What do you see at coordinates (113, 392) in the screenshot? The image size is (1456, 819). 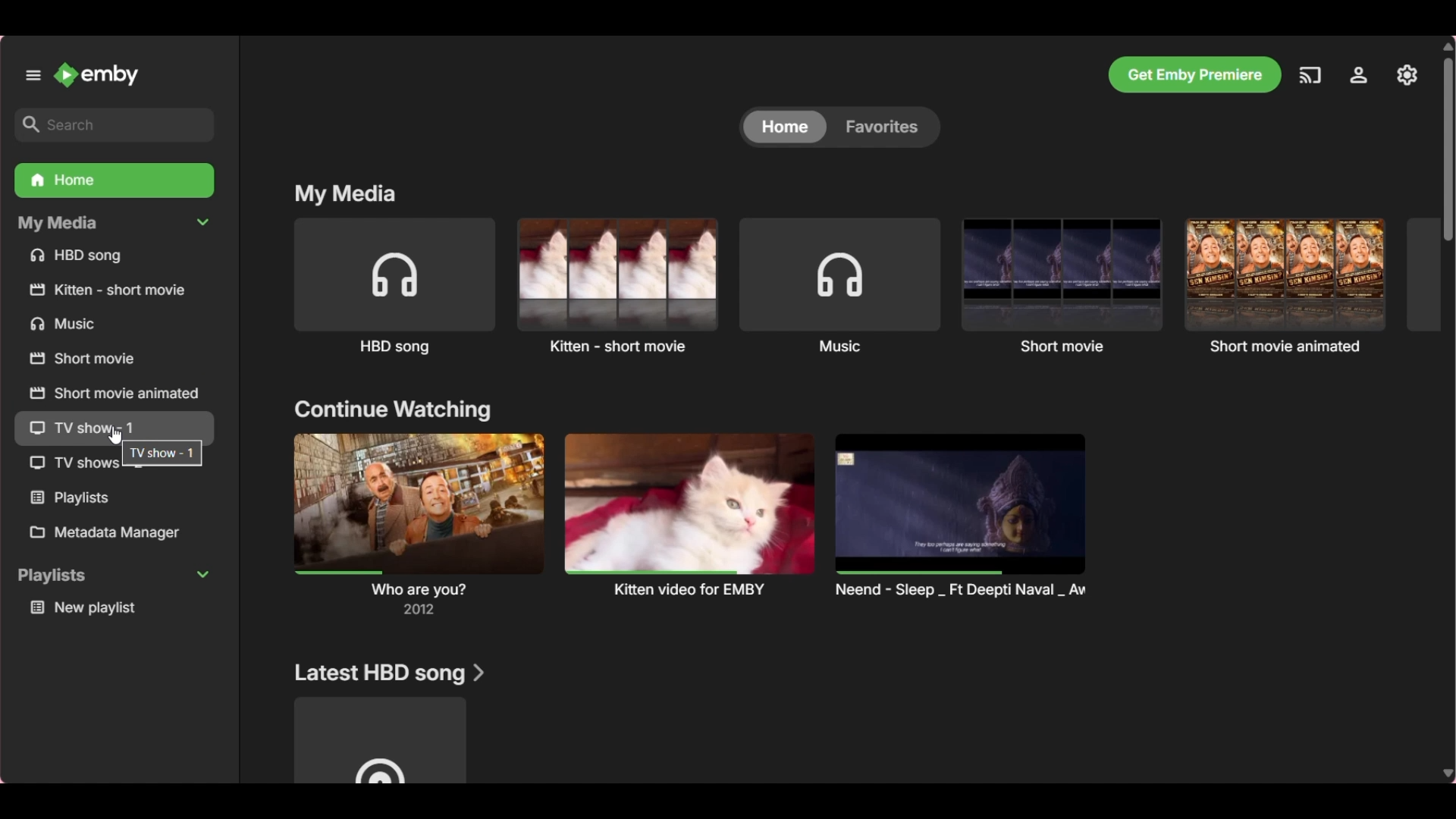 I see `Short film` at bounding box center [113, 392].